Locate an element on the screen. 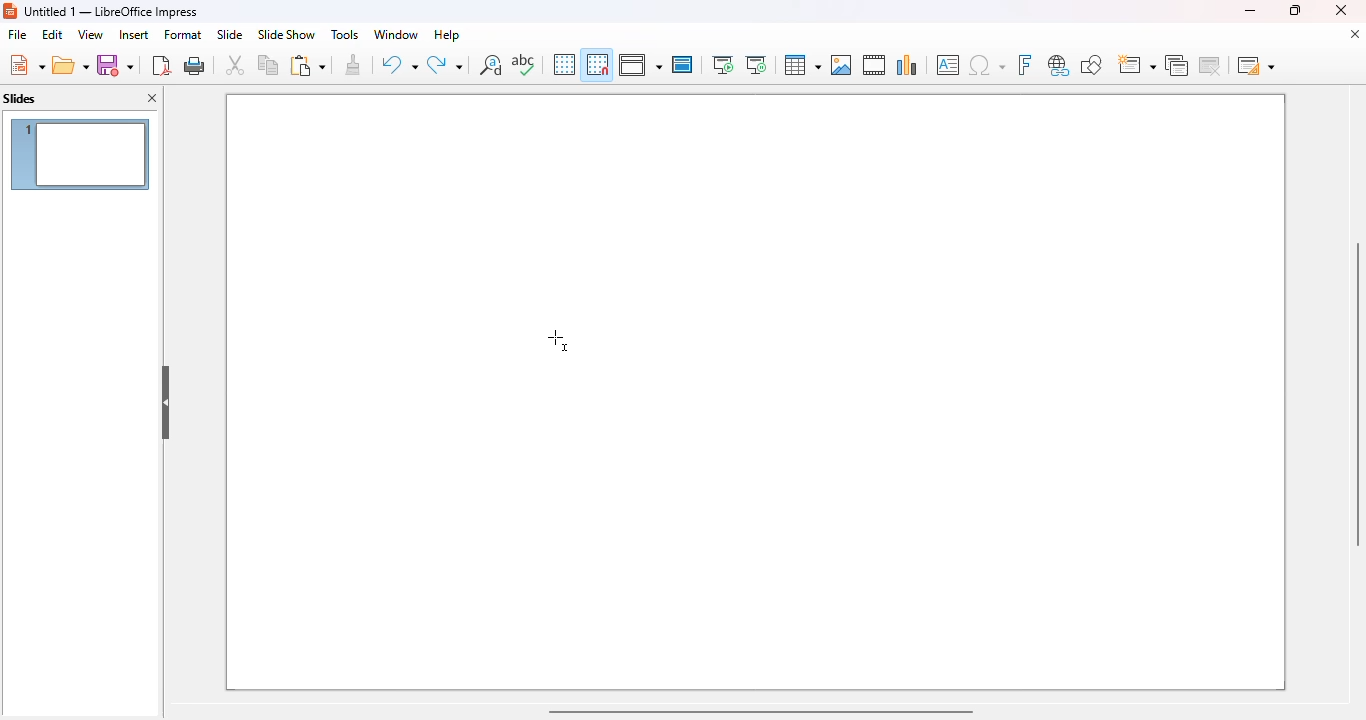 The image size is (1366, 720). edit is located at coordinates (52, 34).